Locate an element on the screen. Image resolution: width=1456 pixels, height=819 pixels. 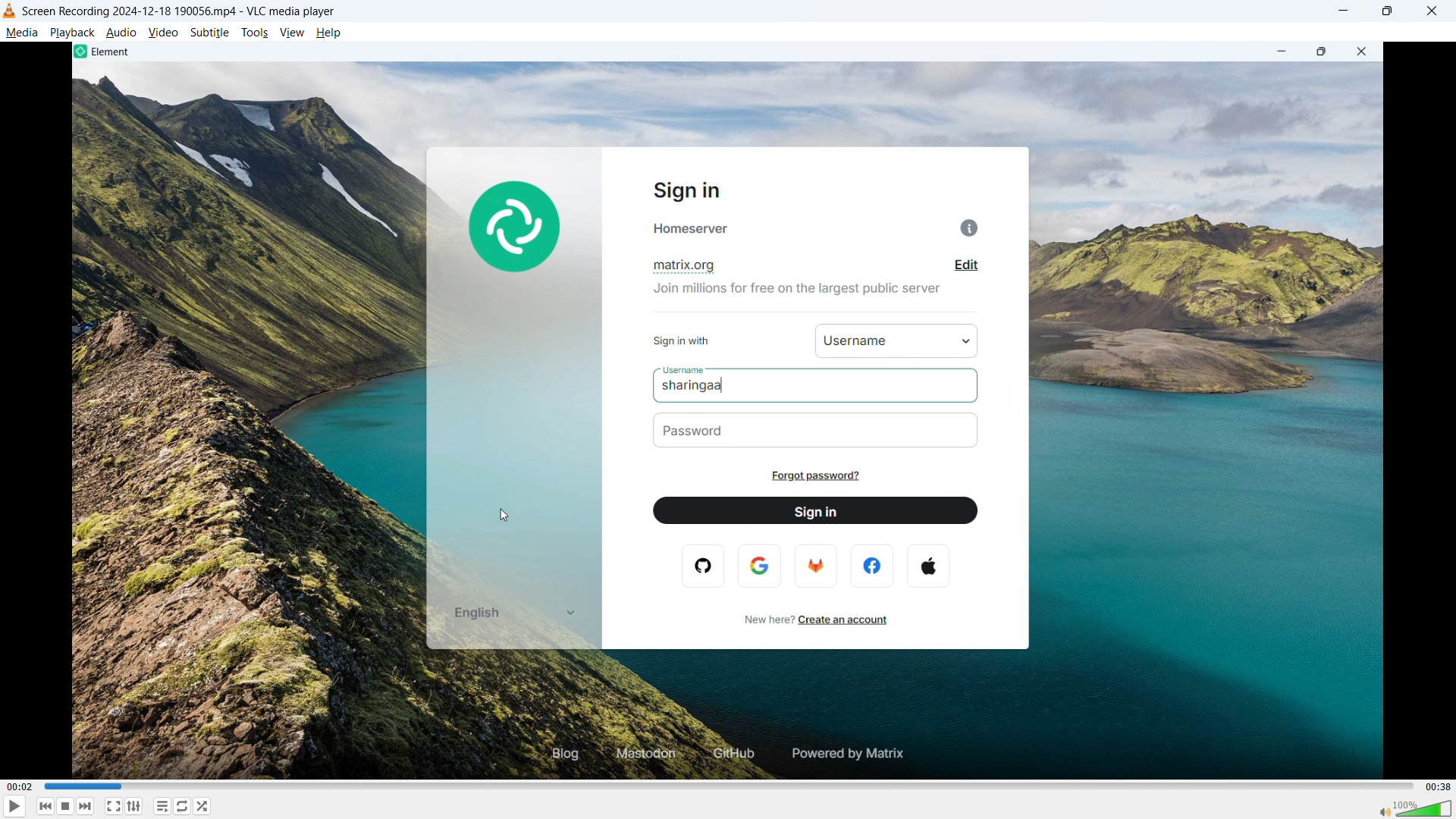
Forward or next media  is located at coordinates (86, 807).